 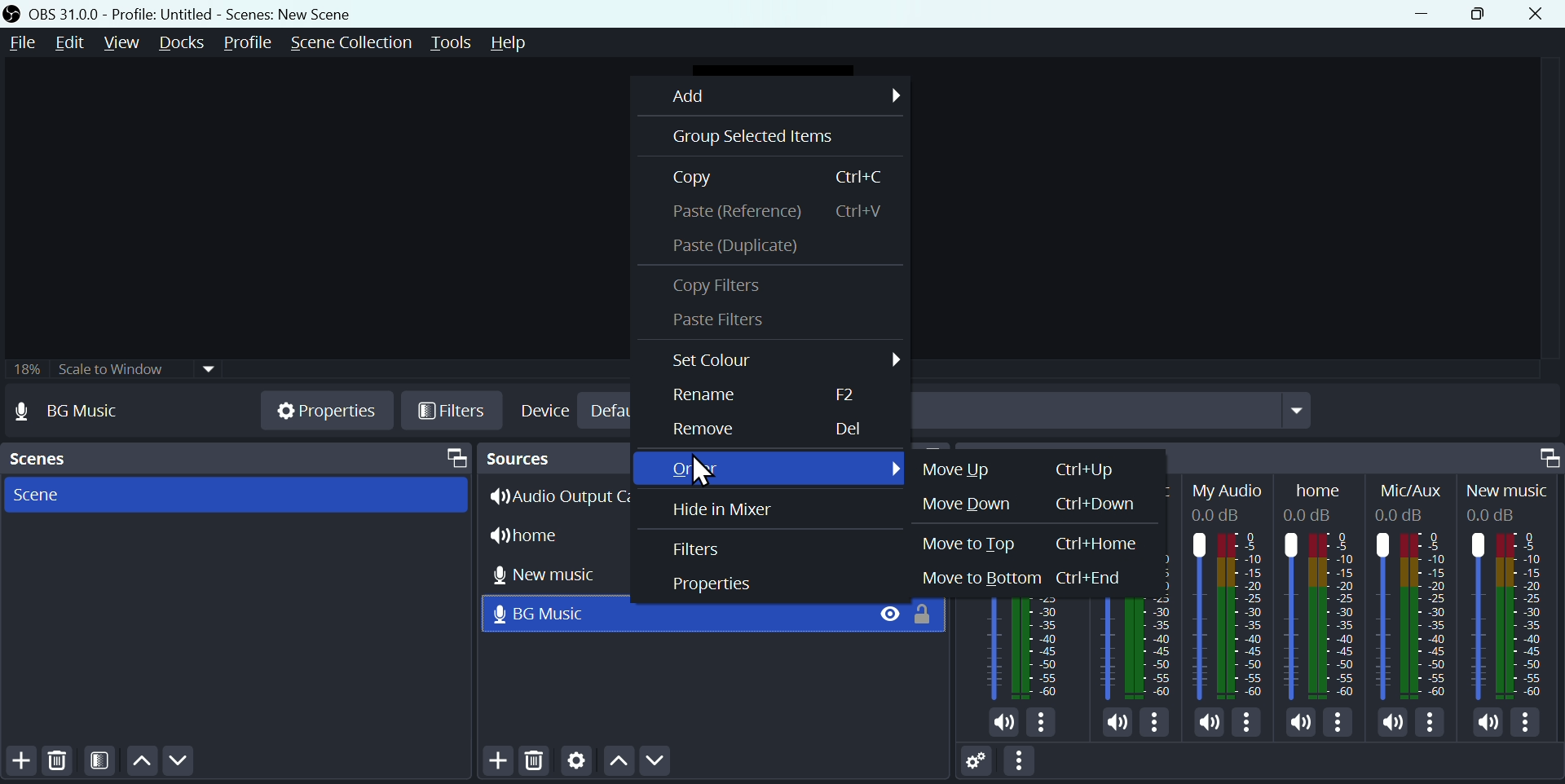 What do you see at coordinates (26, 368) in the screenshot?
I see `18%` at bounding box center [26, 368].